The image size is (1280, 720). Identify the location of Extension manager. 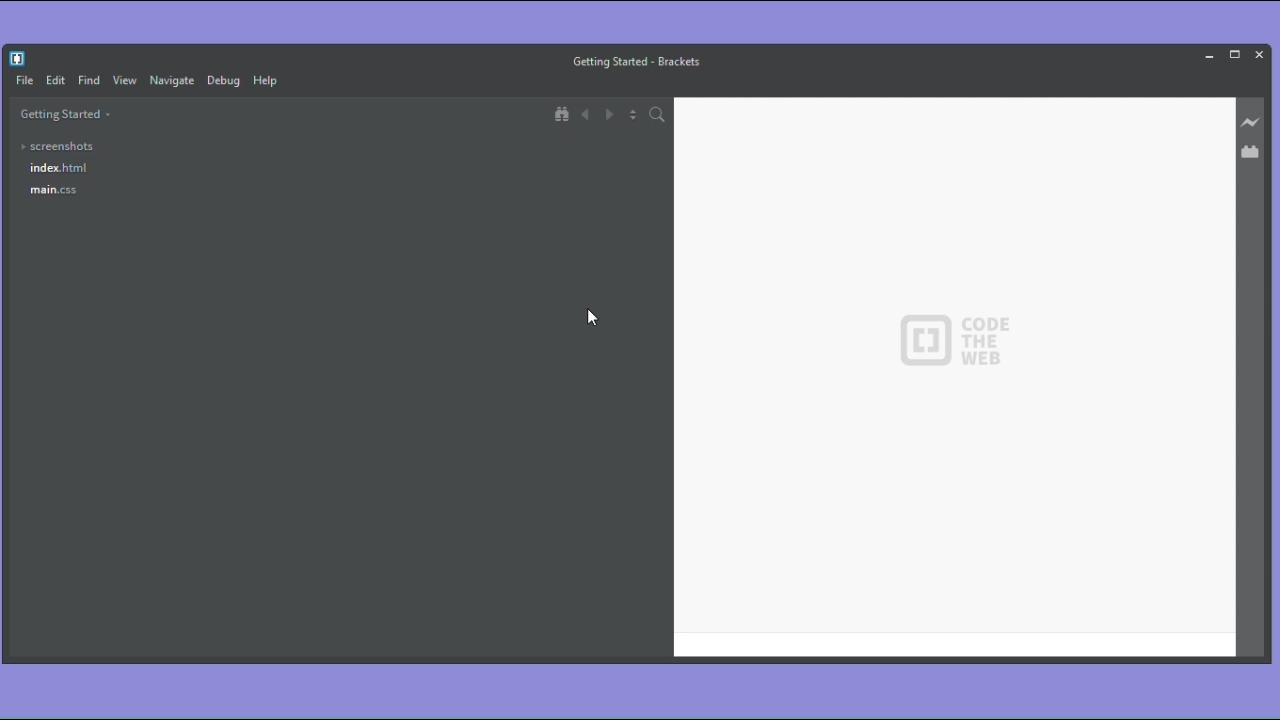
(1251, 149).